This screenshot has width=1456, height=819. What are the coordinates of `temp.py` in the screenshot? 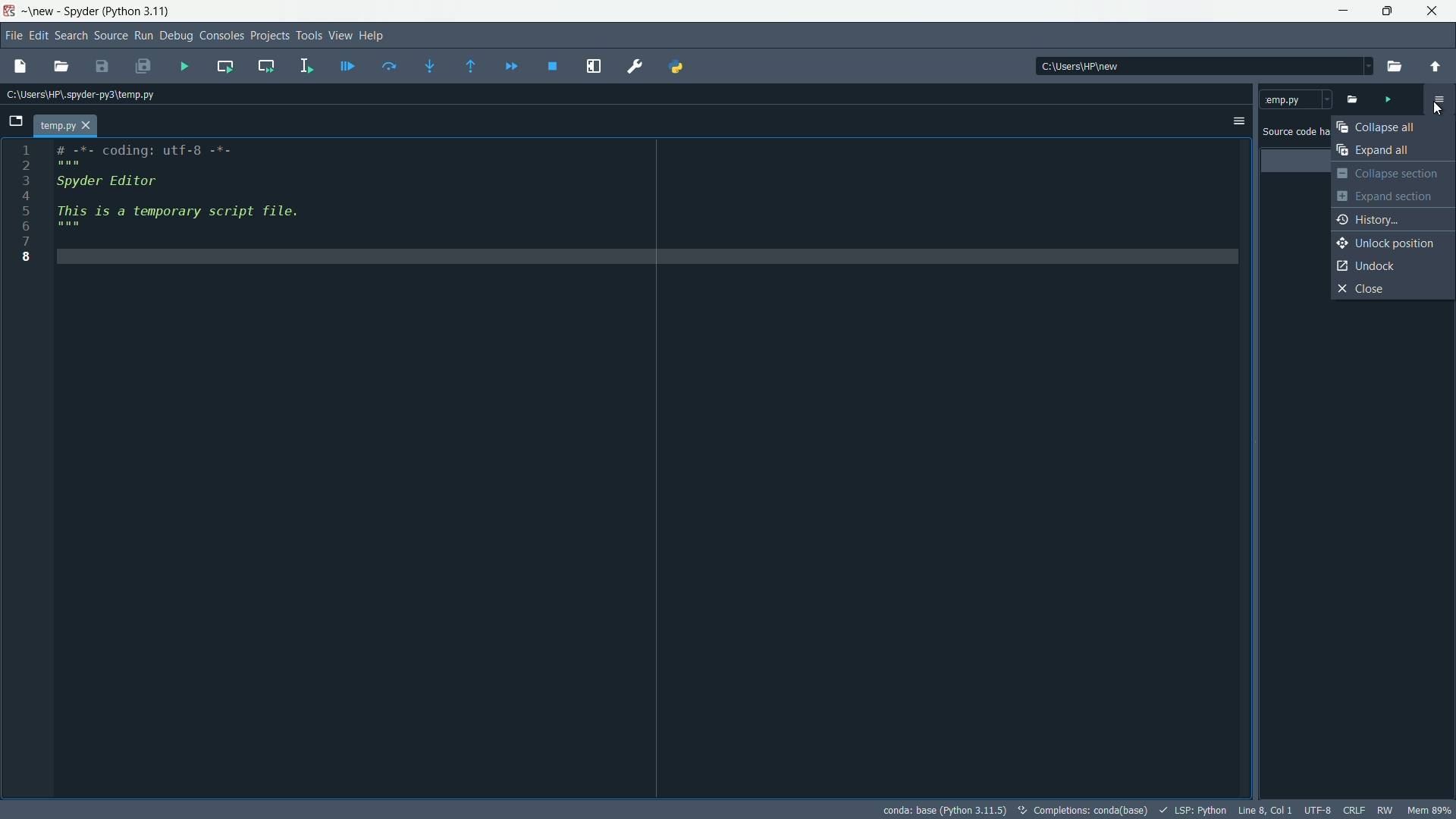 It's located at (67, 127).